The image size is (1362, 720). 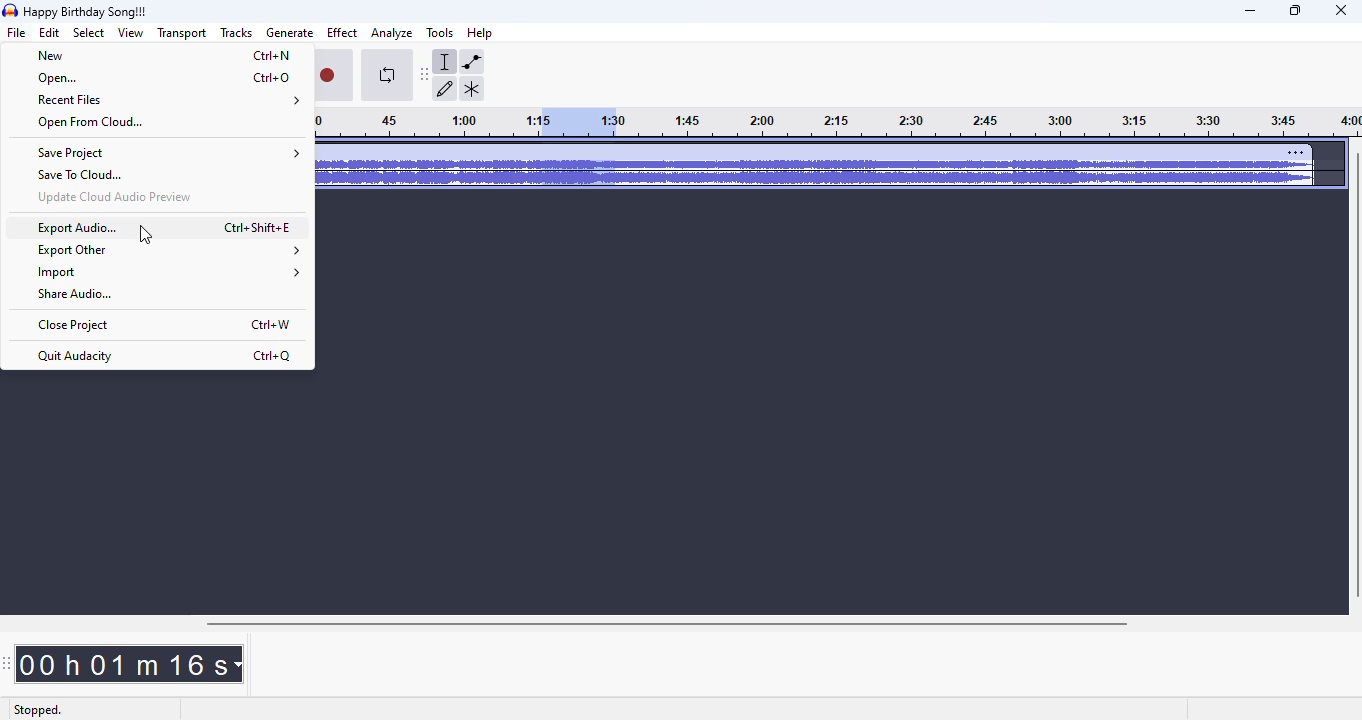 I want to click on minimize, so click(x=1251, y=12).